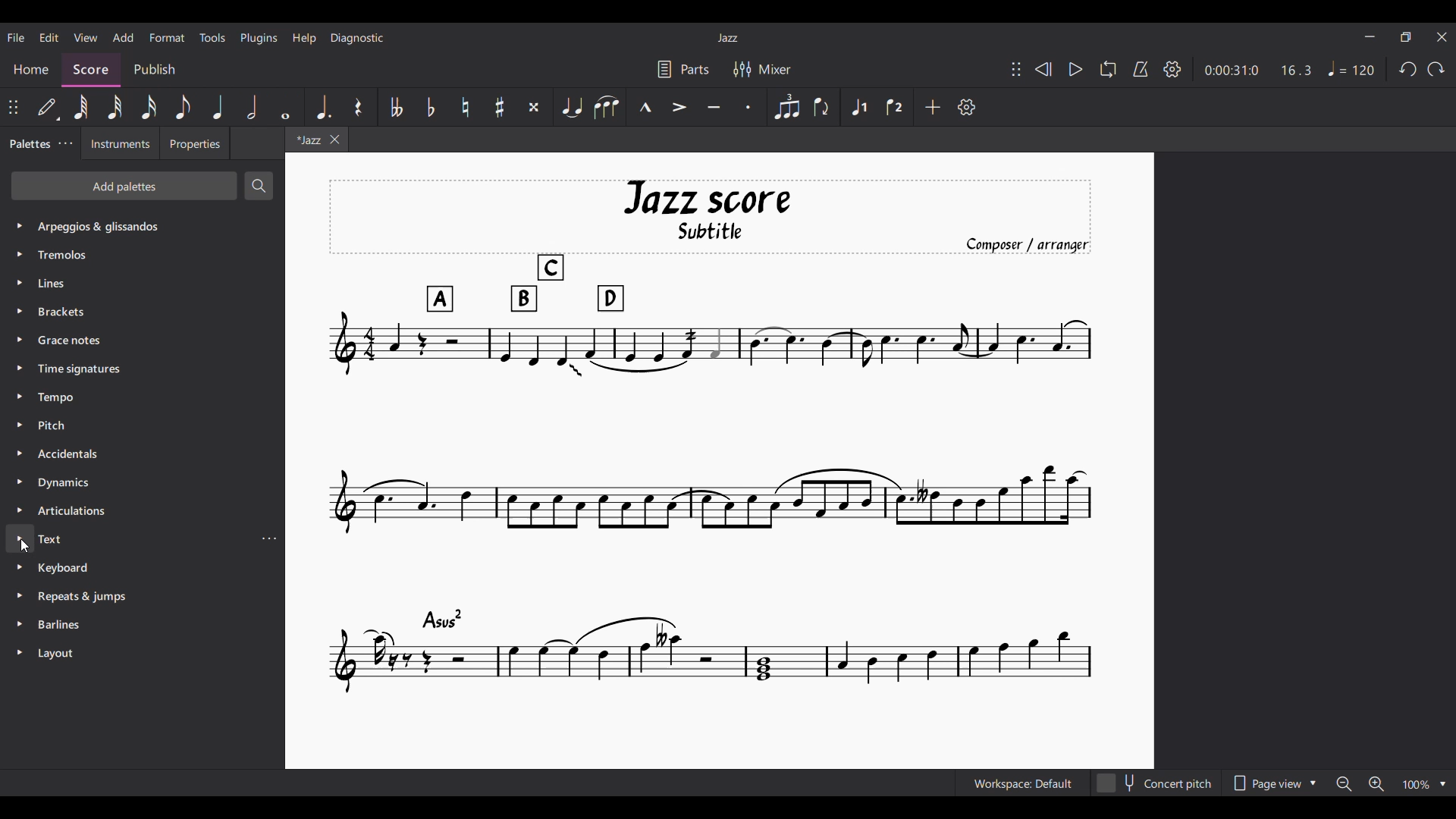 The image size is (1456, 819). I want to click on Concert pitch toggle, so click(1156, 783).